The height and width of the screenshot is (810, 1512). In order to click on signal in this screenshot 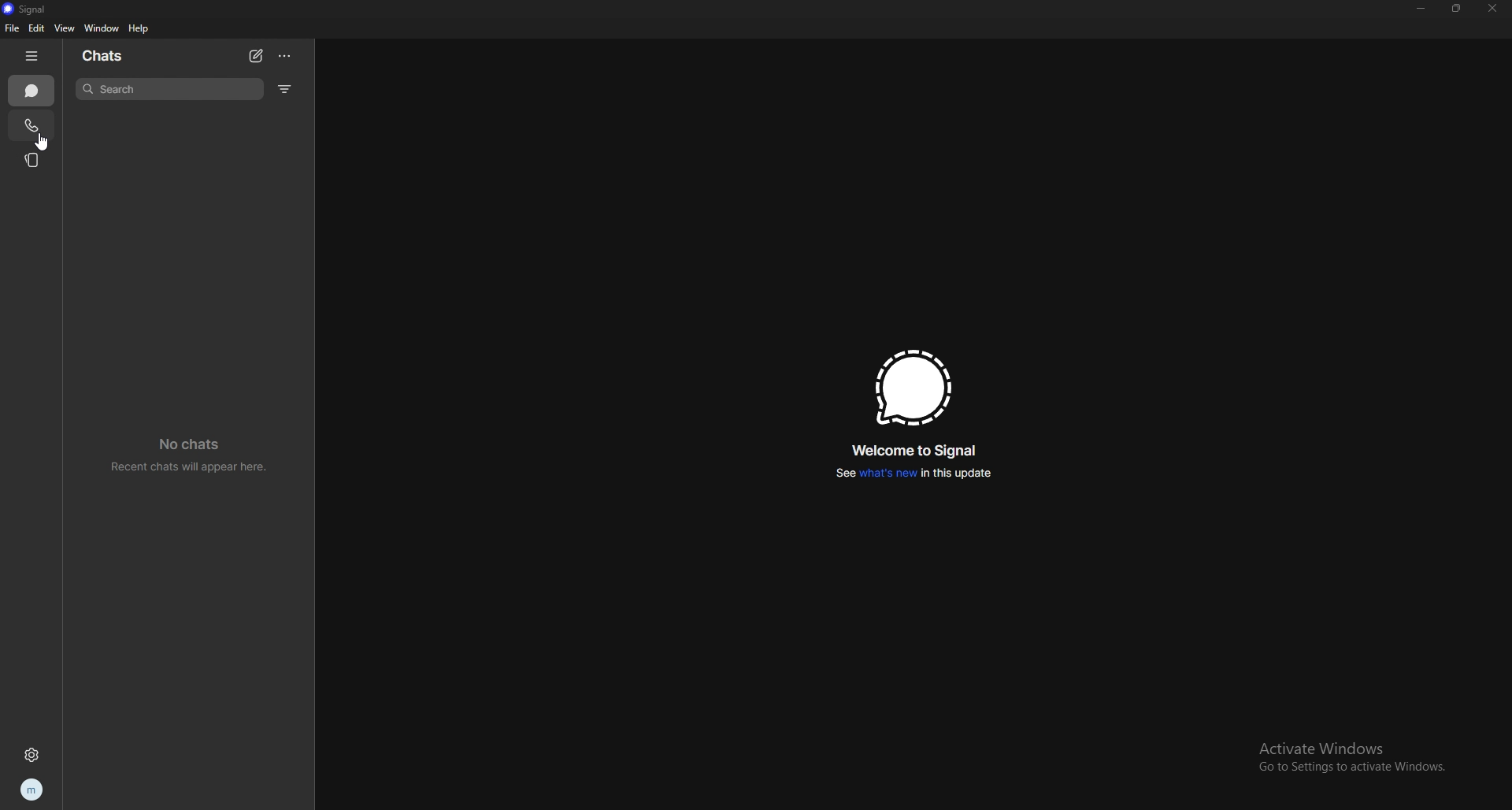, I will do `click(30, 9)`.